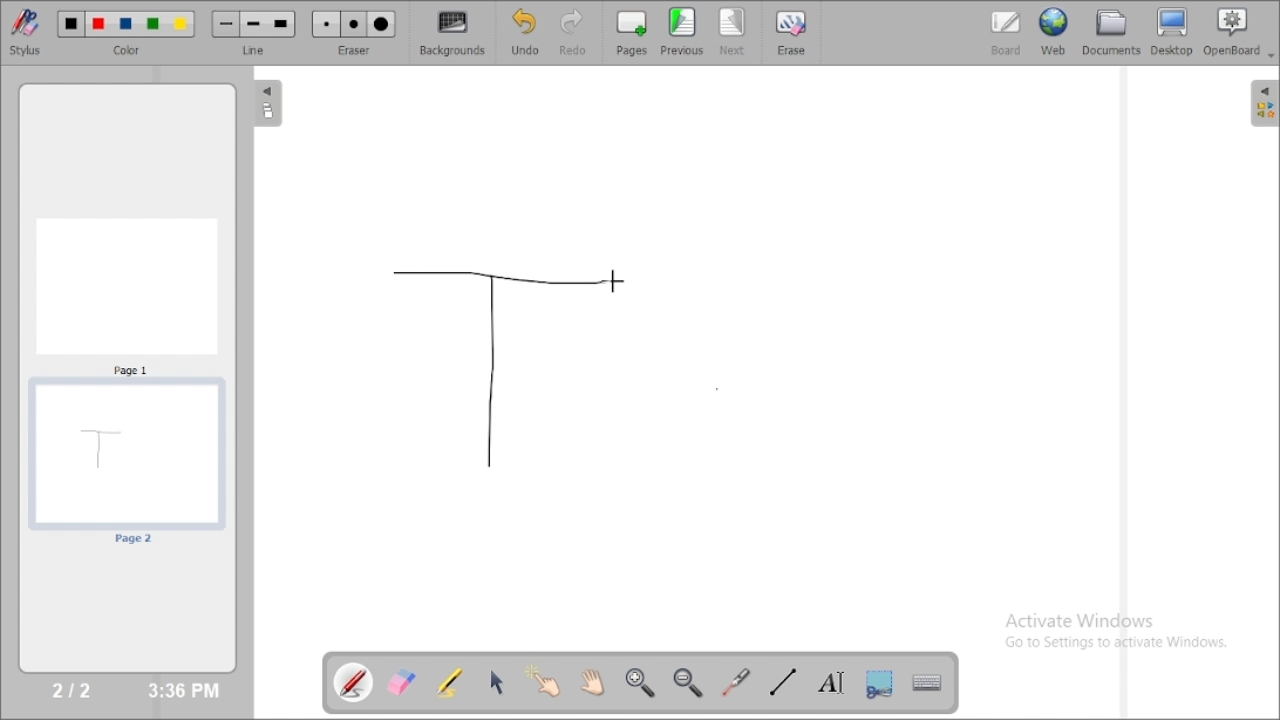  What do you see at coordinates (682, 31) in the screenshot?
I see `previous` at bounding box center [682, 31].